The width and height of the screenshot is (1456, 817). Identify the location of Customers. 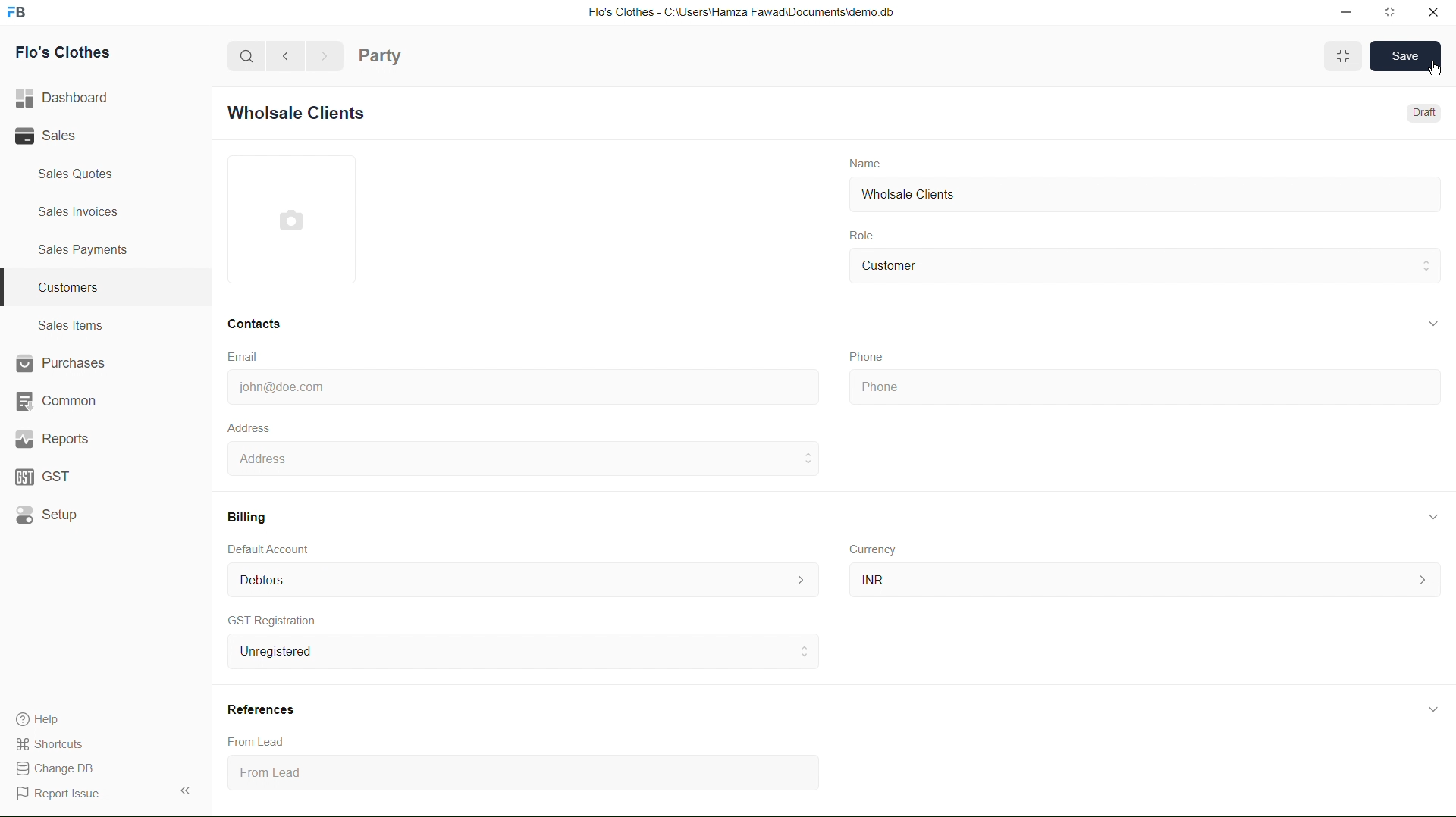
(64, 288).